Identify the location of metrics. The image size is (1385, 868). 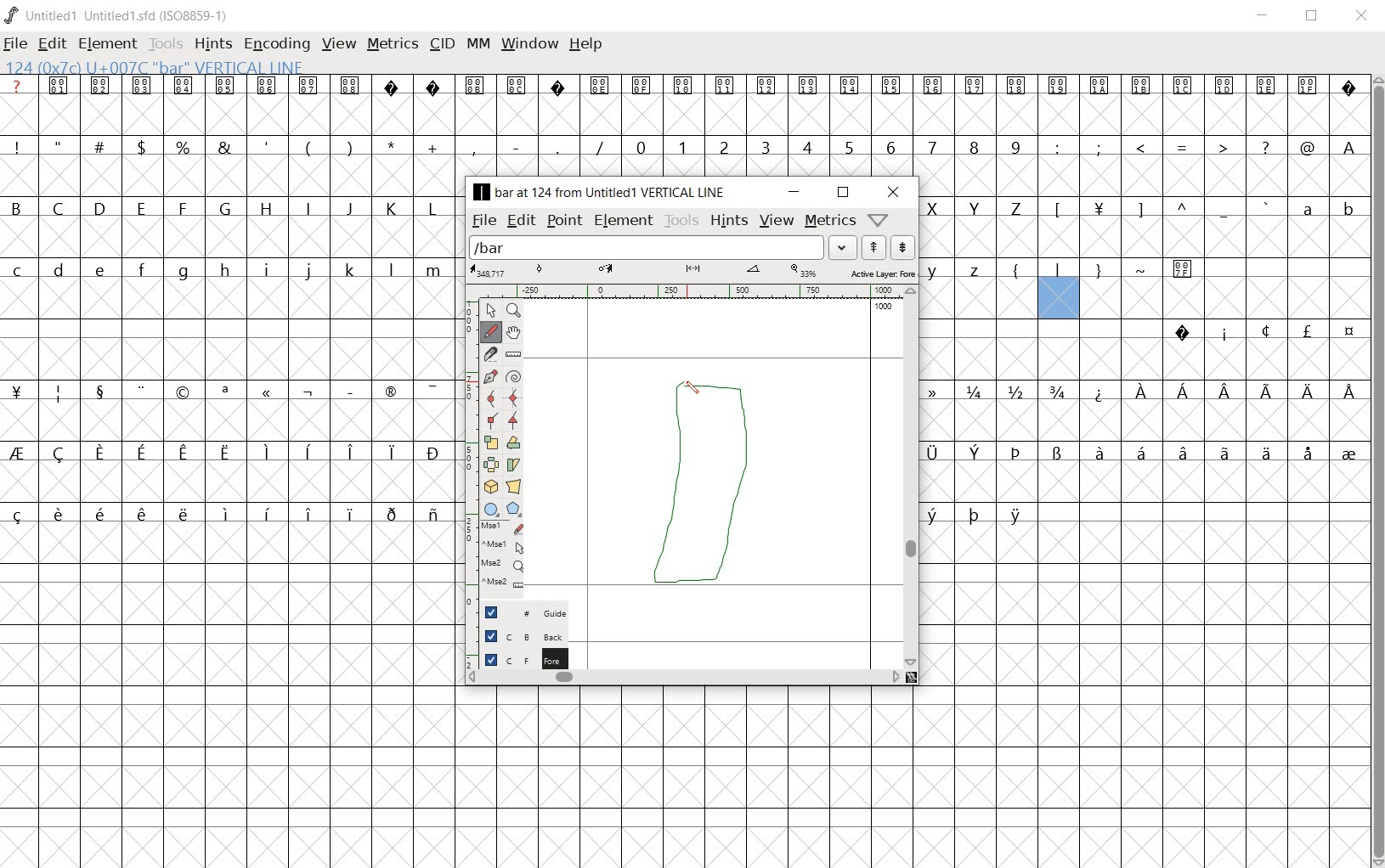
(393, 42).